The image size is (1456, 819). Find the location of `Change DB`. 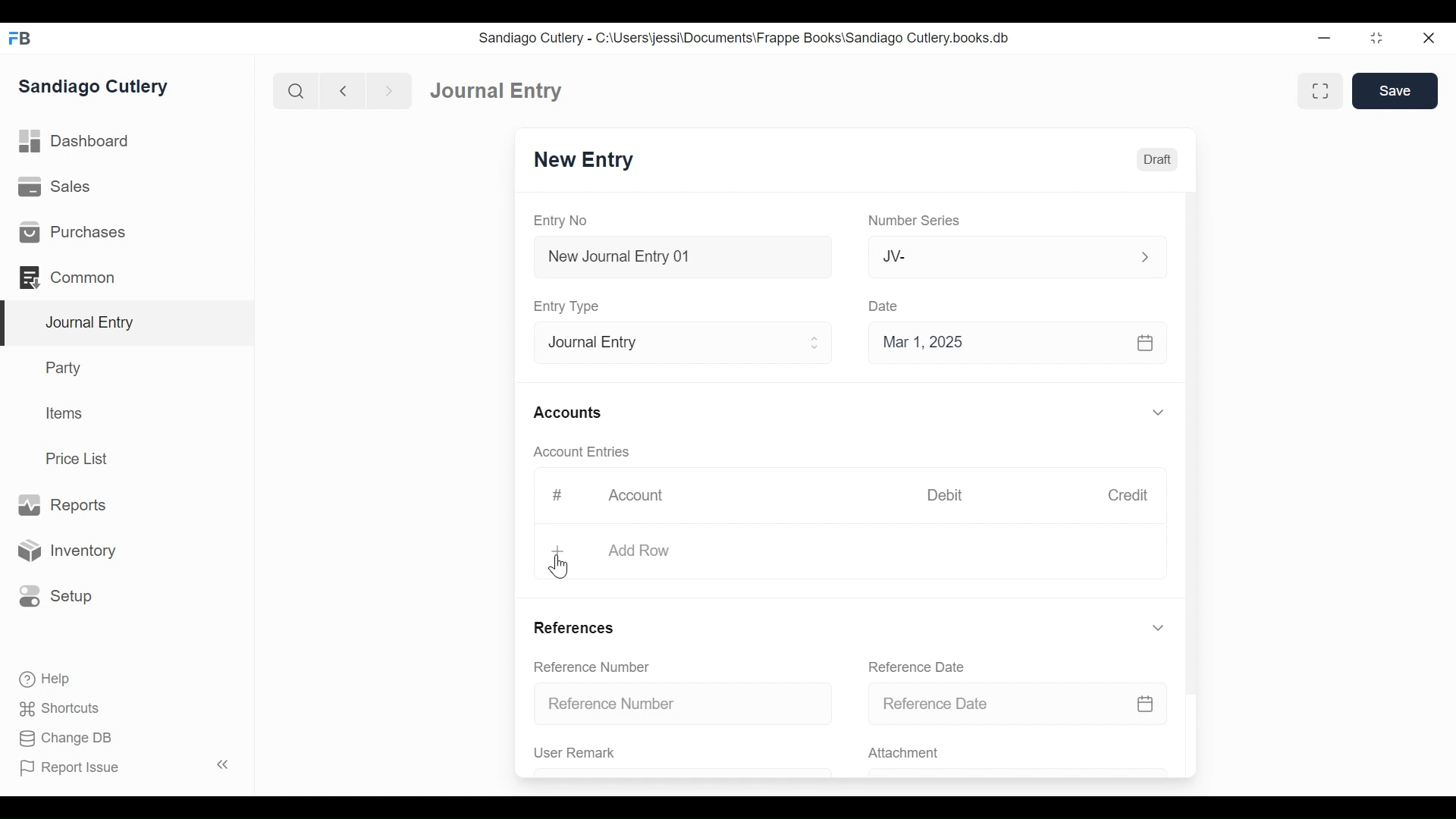

Change DB is located at coordinates (59, 739).